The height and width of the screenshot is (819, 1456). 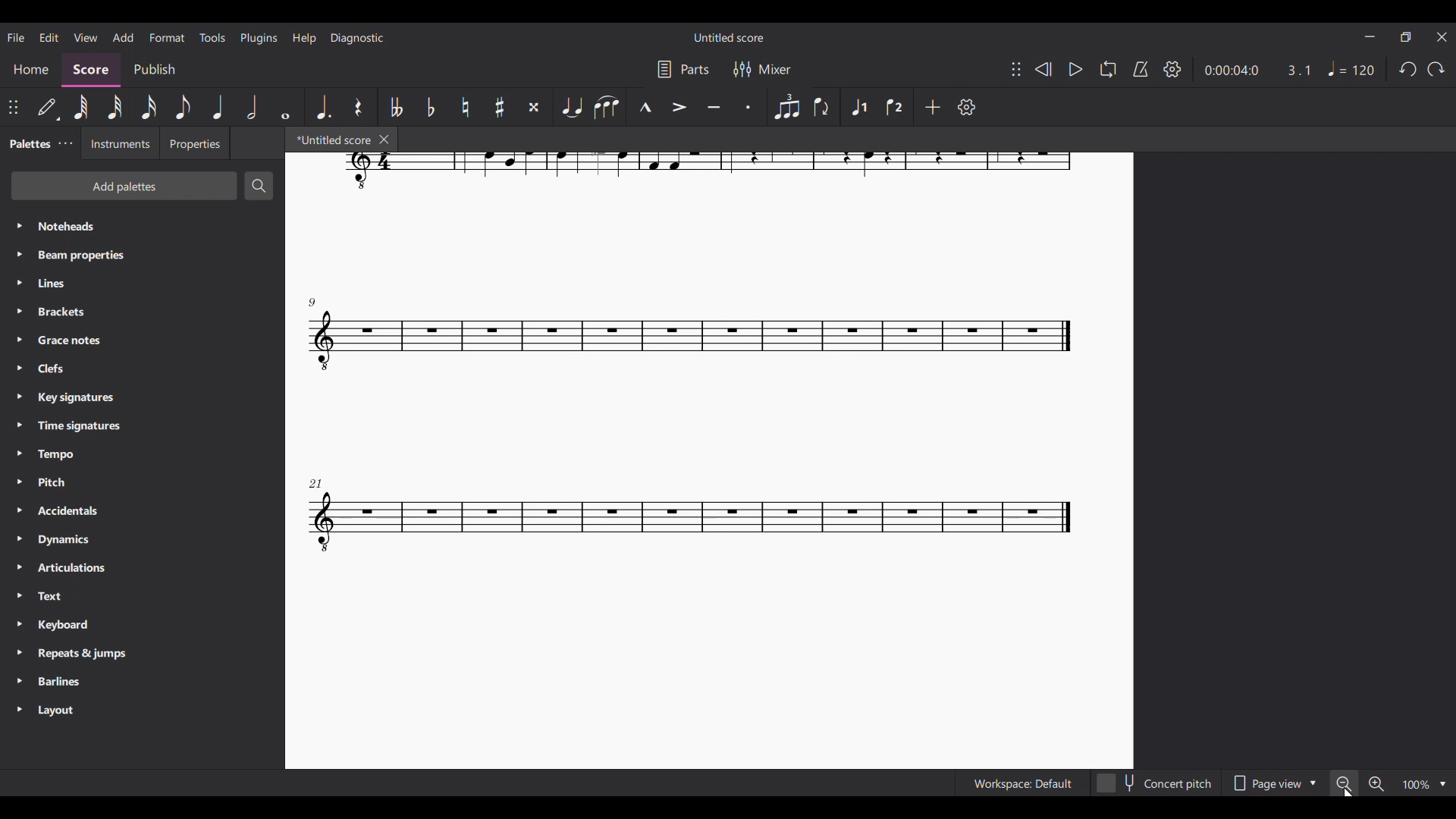 I want to click on Change position , so click(x=13, y=107).